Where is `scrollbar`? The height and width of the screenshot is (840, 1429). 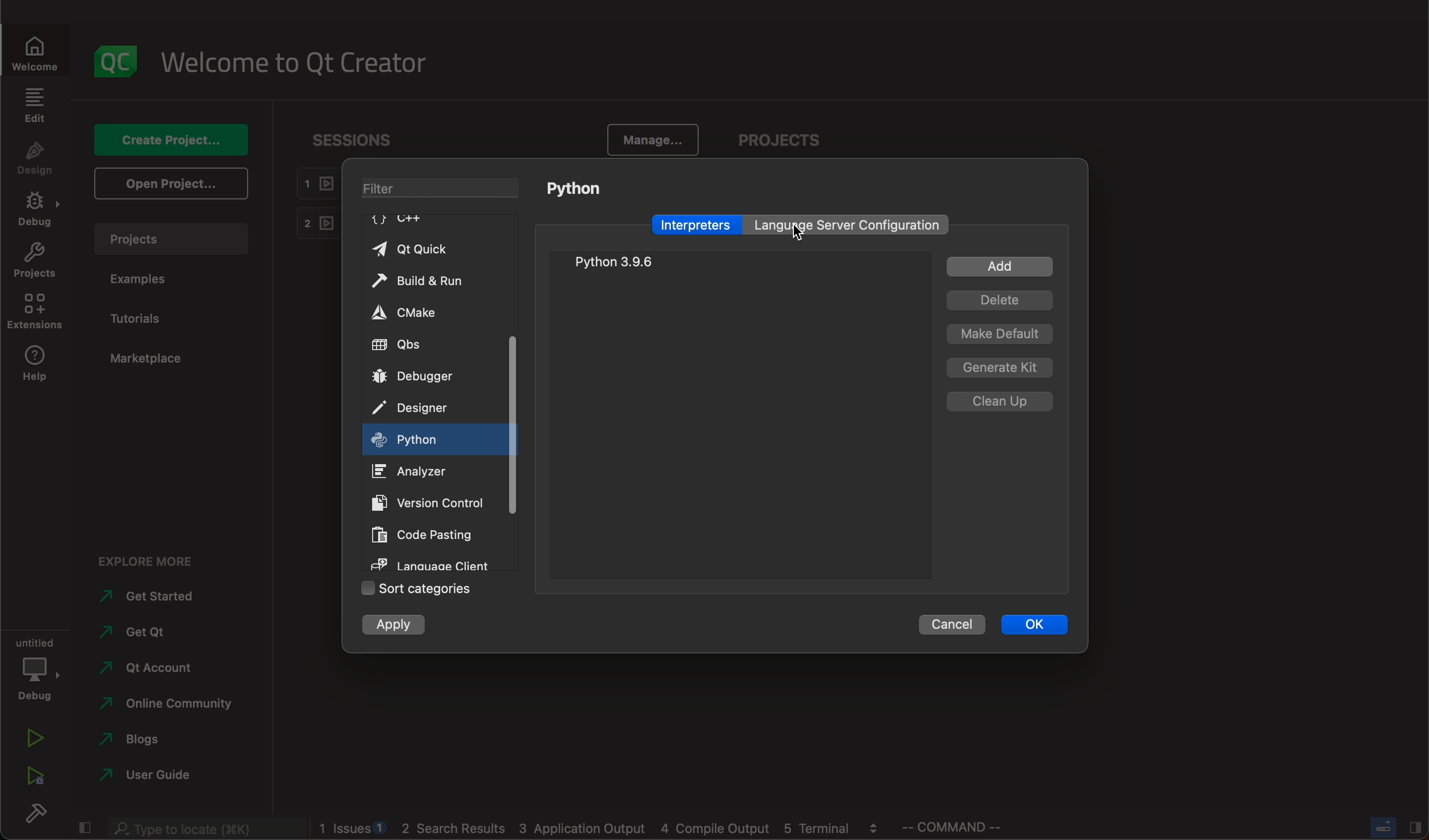
scrollbar is located at coordinates (511, 394).